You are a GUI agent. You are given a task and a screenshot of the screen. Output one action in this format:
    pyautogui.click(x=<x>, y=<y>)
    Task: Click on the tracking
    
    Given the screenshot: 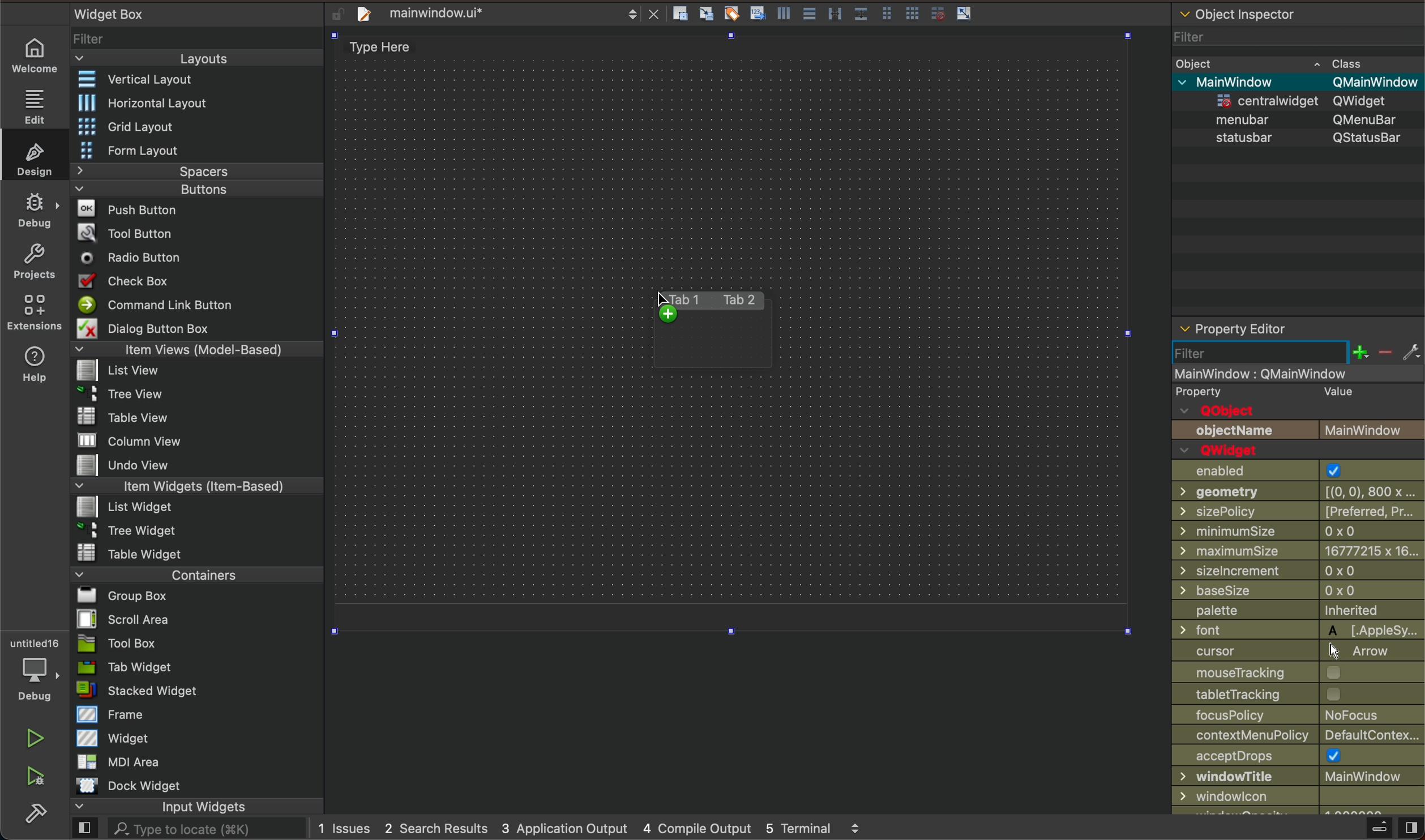 What is the action you would take?
    pyautogui.click(x=1296, y=694)
    